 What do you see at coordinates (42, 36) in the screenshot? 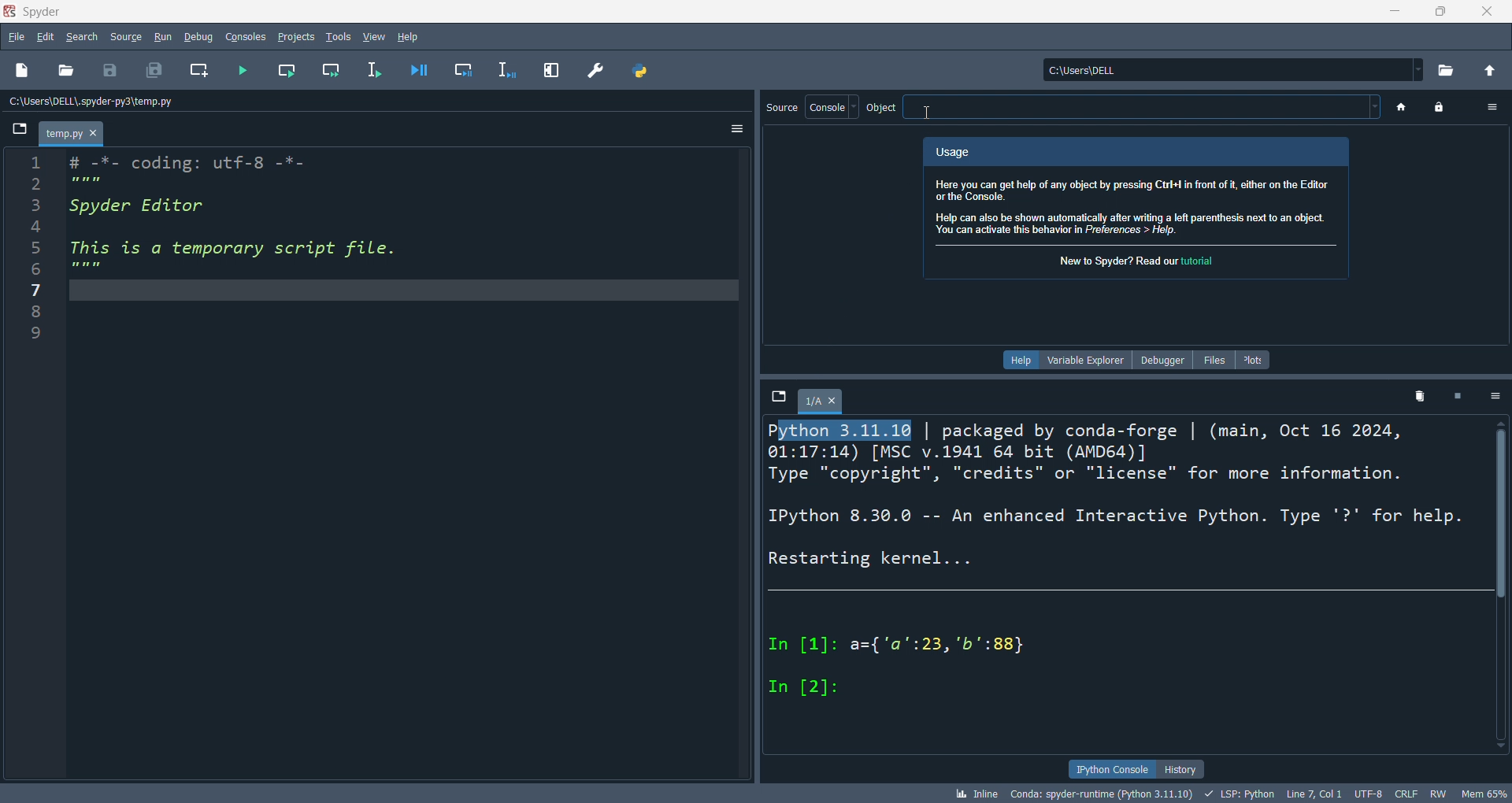
I see `edit` at bounding box center [42, 36].